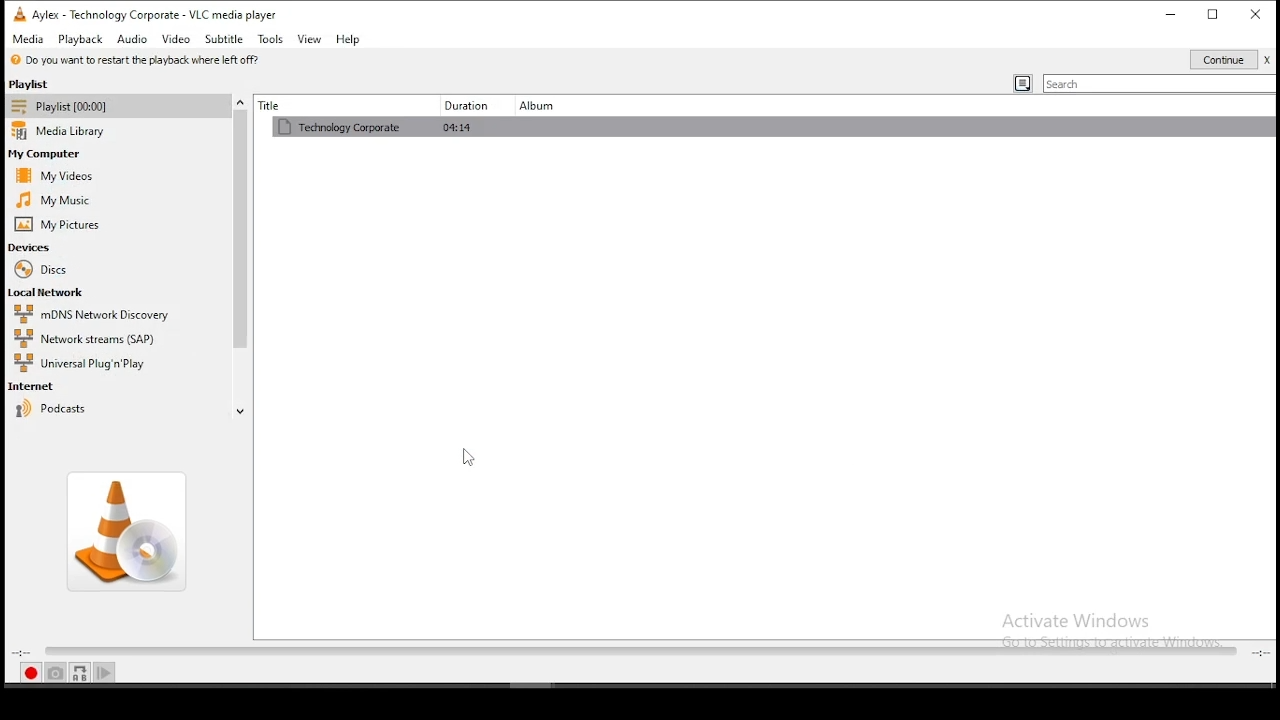  I want to click on duration, so click(461, 105).